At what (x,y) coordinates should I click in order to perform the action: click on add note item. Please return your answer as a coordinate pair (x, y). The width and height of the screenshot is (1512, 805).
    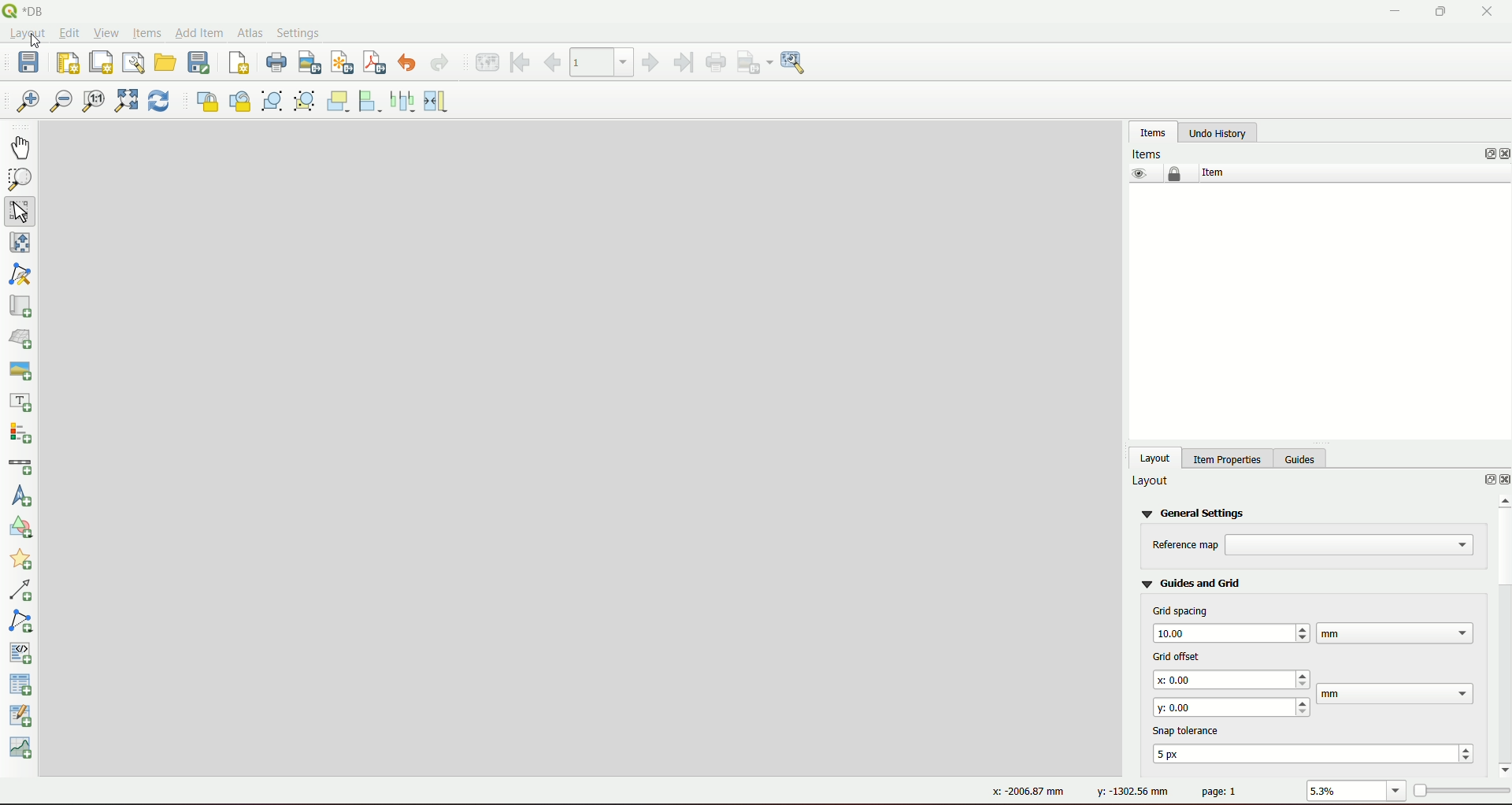
    Looking at the image, I should click on (23, 620).